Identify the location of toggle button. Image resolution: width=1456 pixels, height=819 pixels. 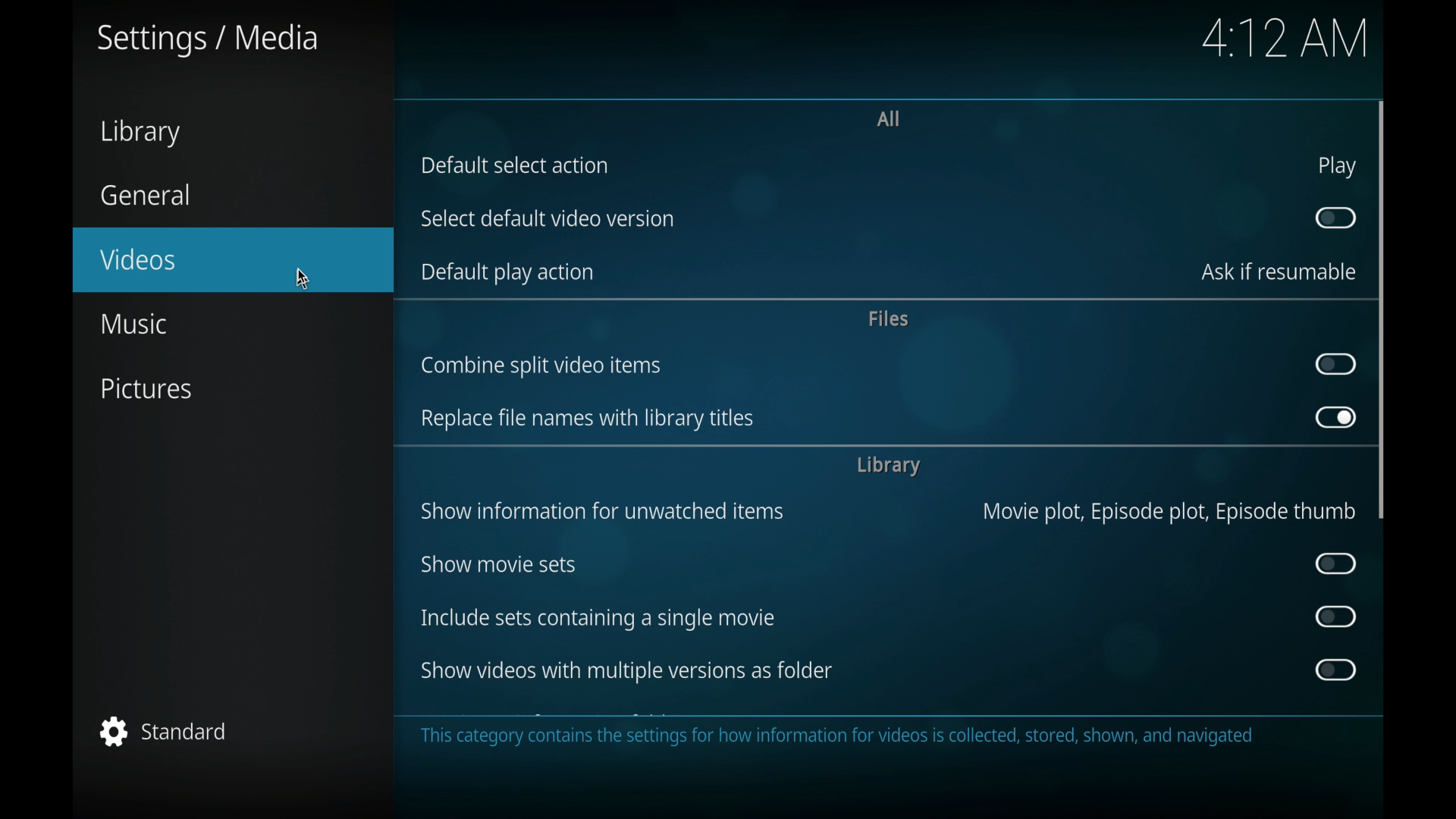
(1338, 366).